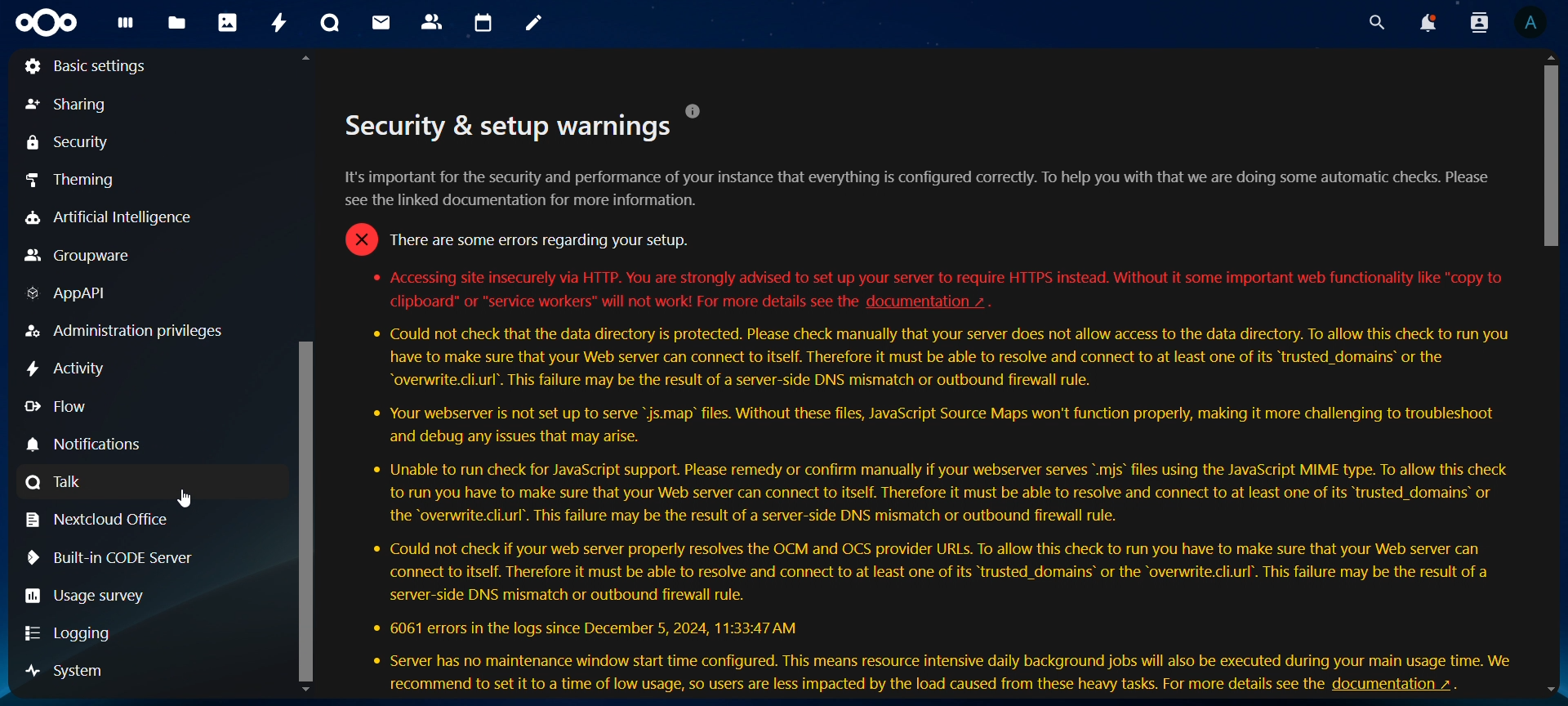  Describe the element at coordinates (516, 123) in the screenshot. I see `Security & setup warnings °` at that location.